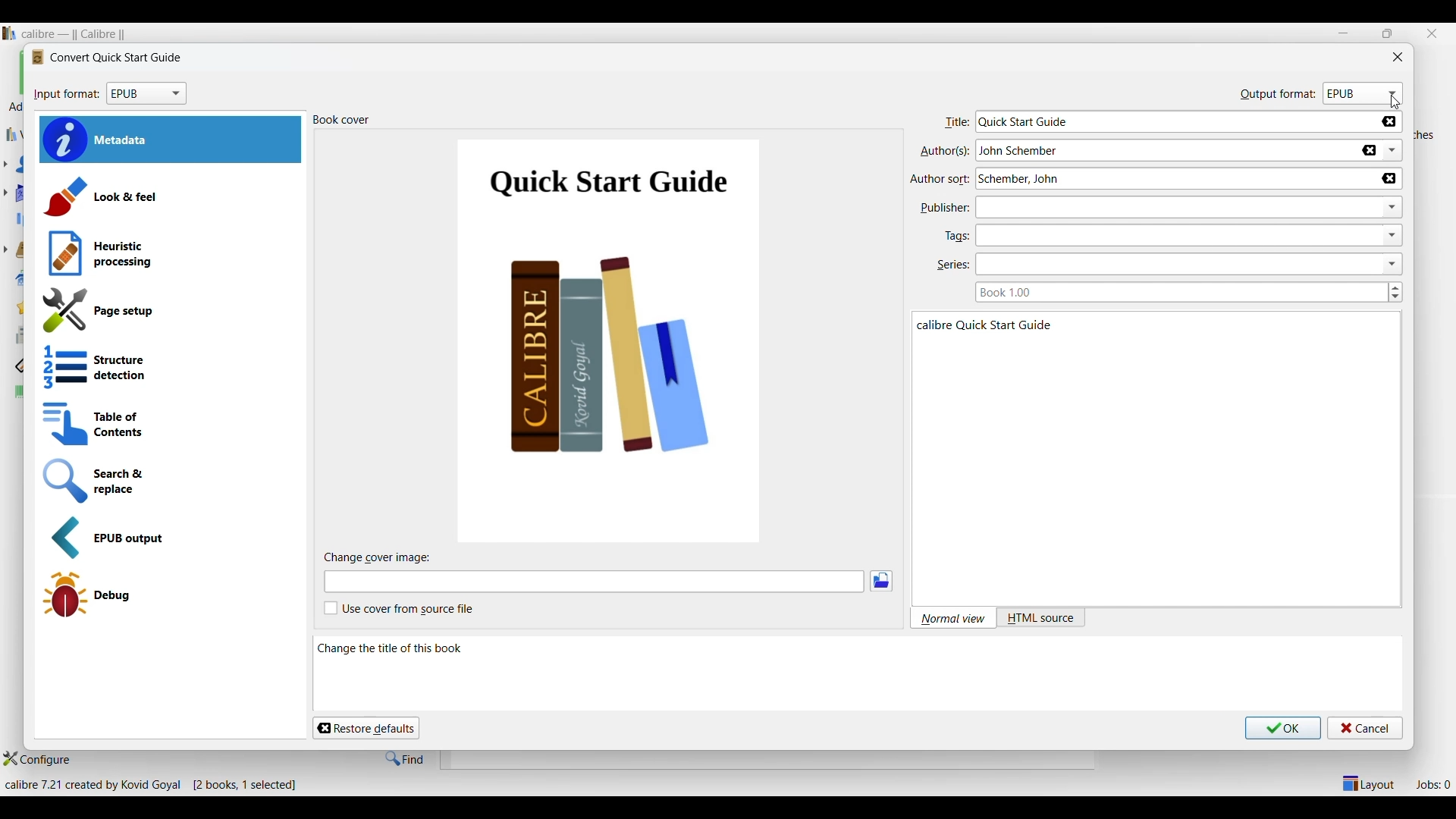 The height and width of the screenshot is (819, 1456). Describe the element at coordinates (1433, 784) in the screenshot. I see `Jobs` at that location.